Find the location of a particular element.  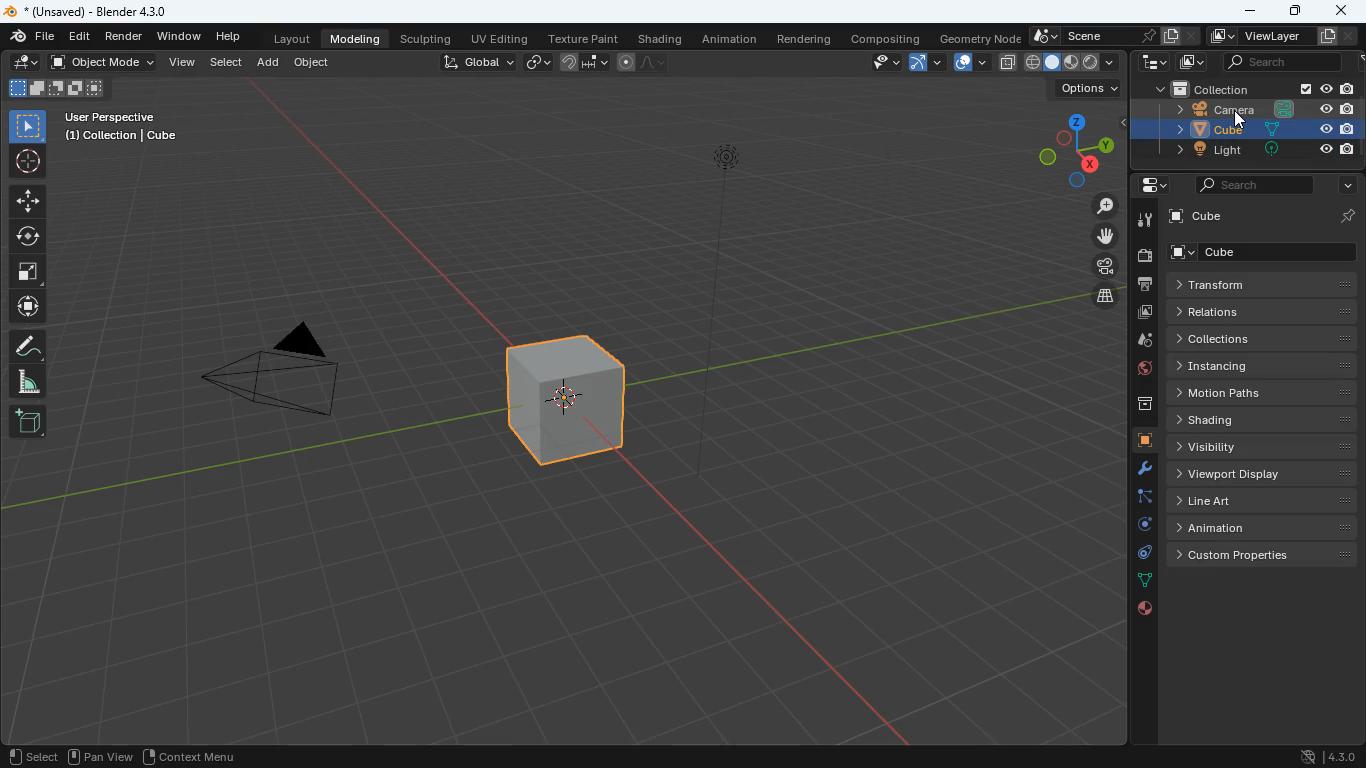

view is located at coordinates (183, 65).